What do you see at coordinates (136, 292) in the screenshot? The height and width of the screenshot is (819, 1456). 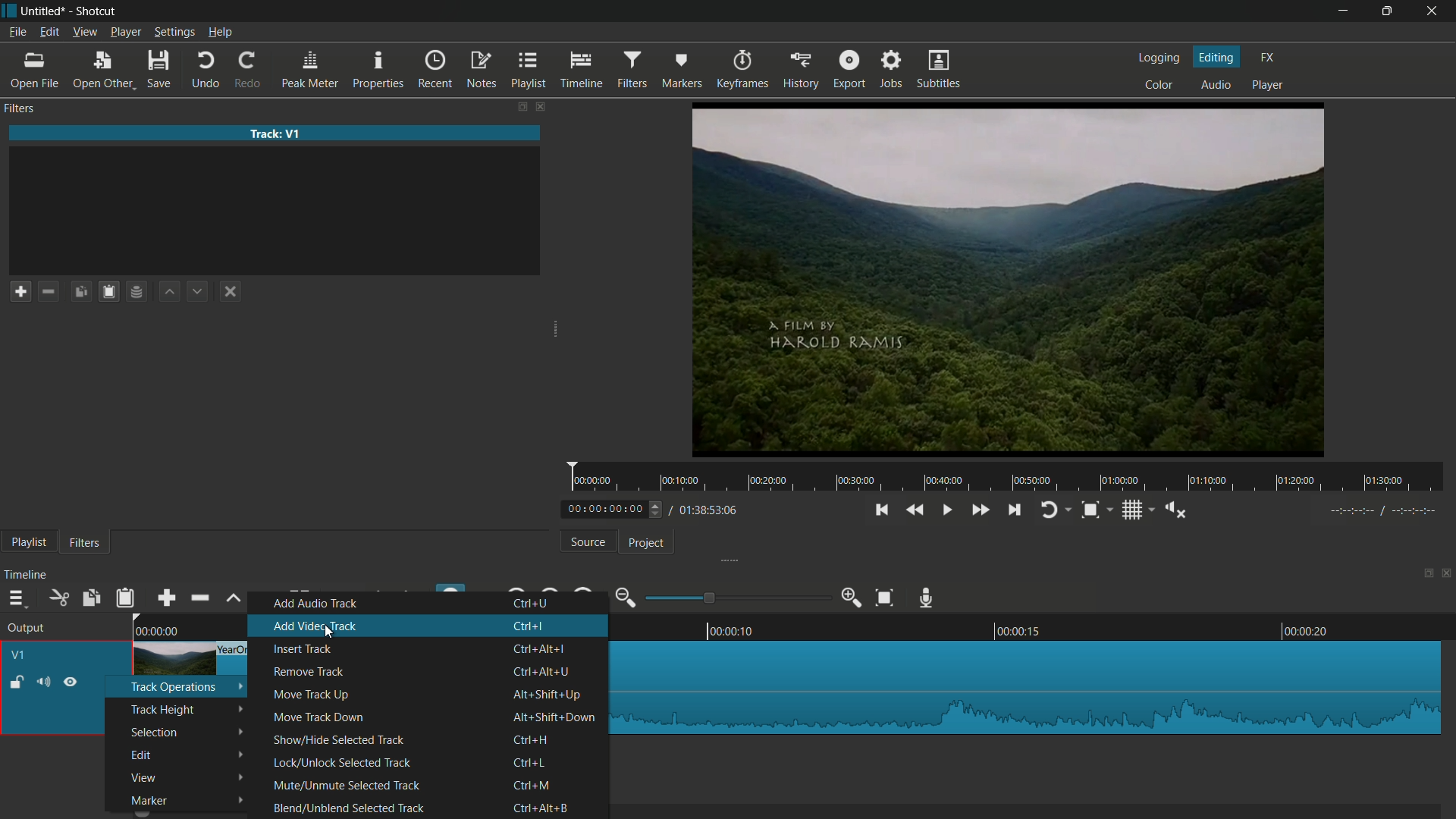 I see `save filter set` at bounding box center [136, 292].